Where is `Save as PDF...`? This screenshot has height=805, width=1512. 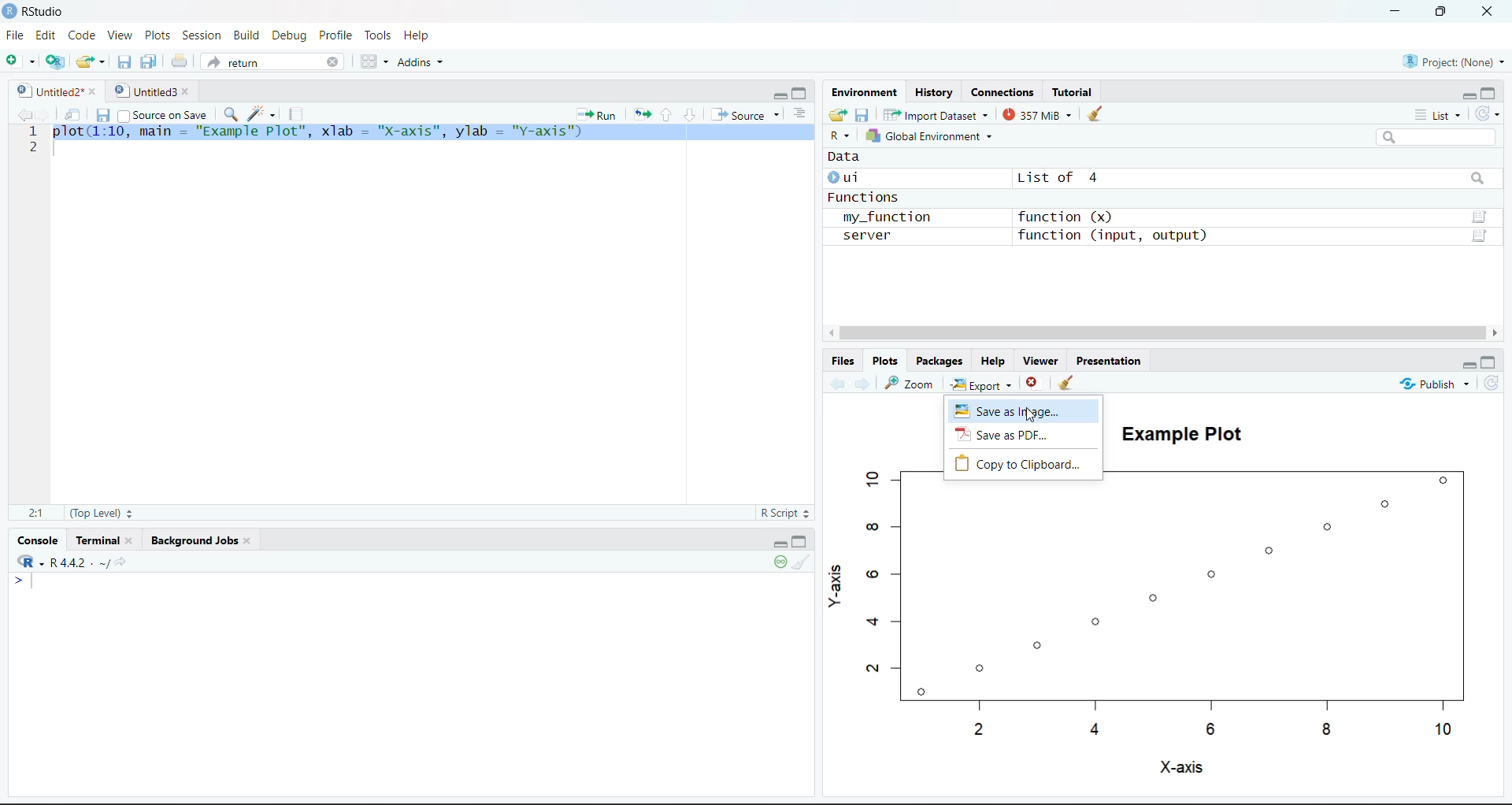
Save as PDF... is located at coordinates (1025, 436).